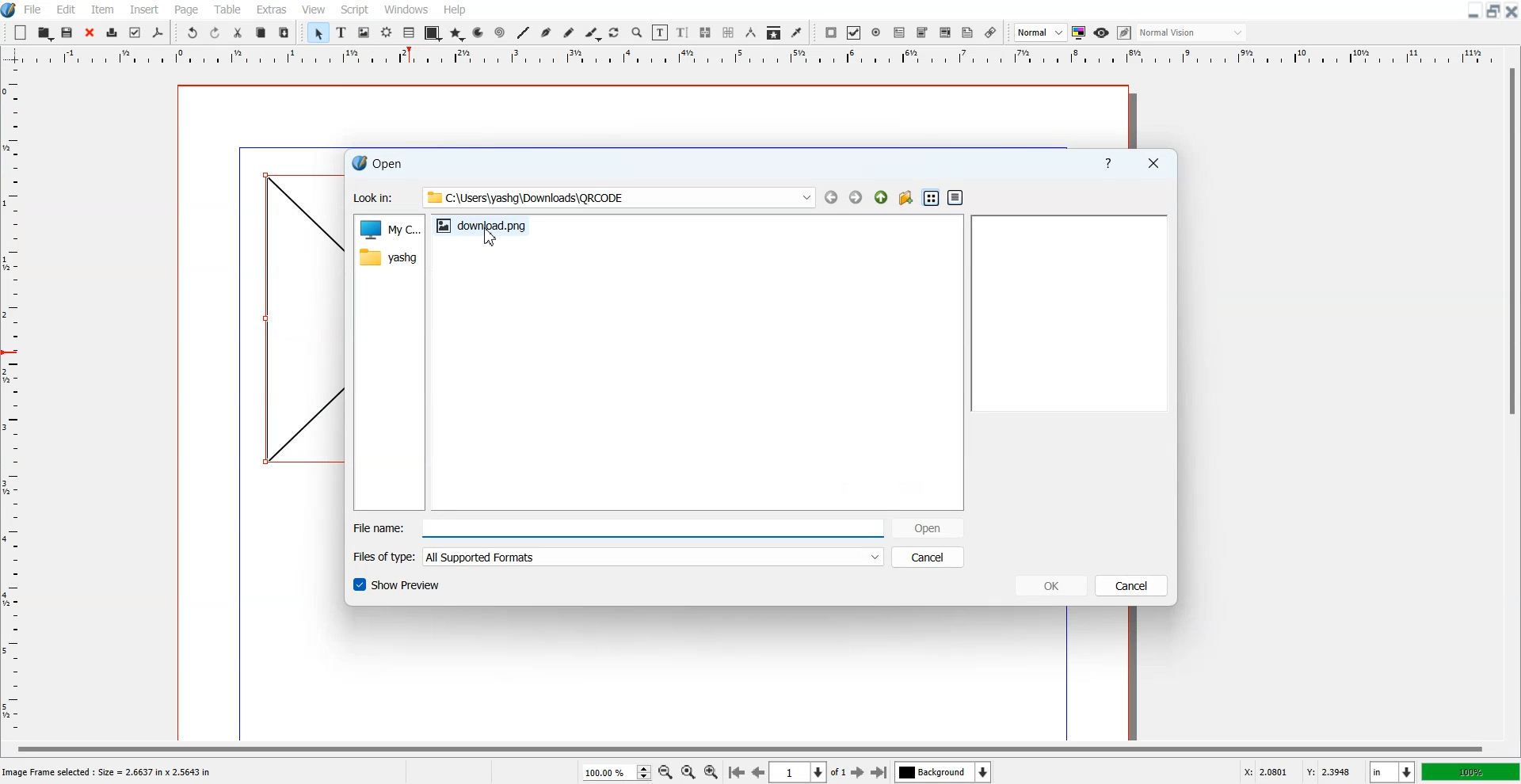  What do you see at coordinates (882, 197) in the screenshot?
I see `Parent Directory` at bounding box center [882, 197].